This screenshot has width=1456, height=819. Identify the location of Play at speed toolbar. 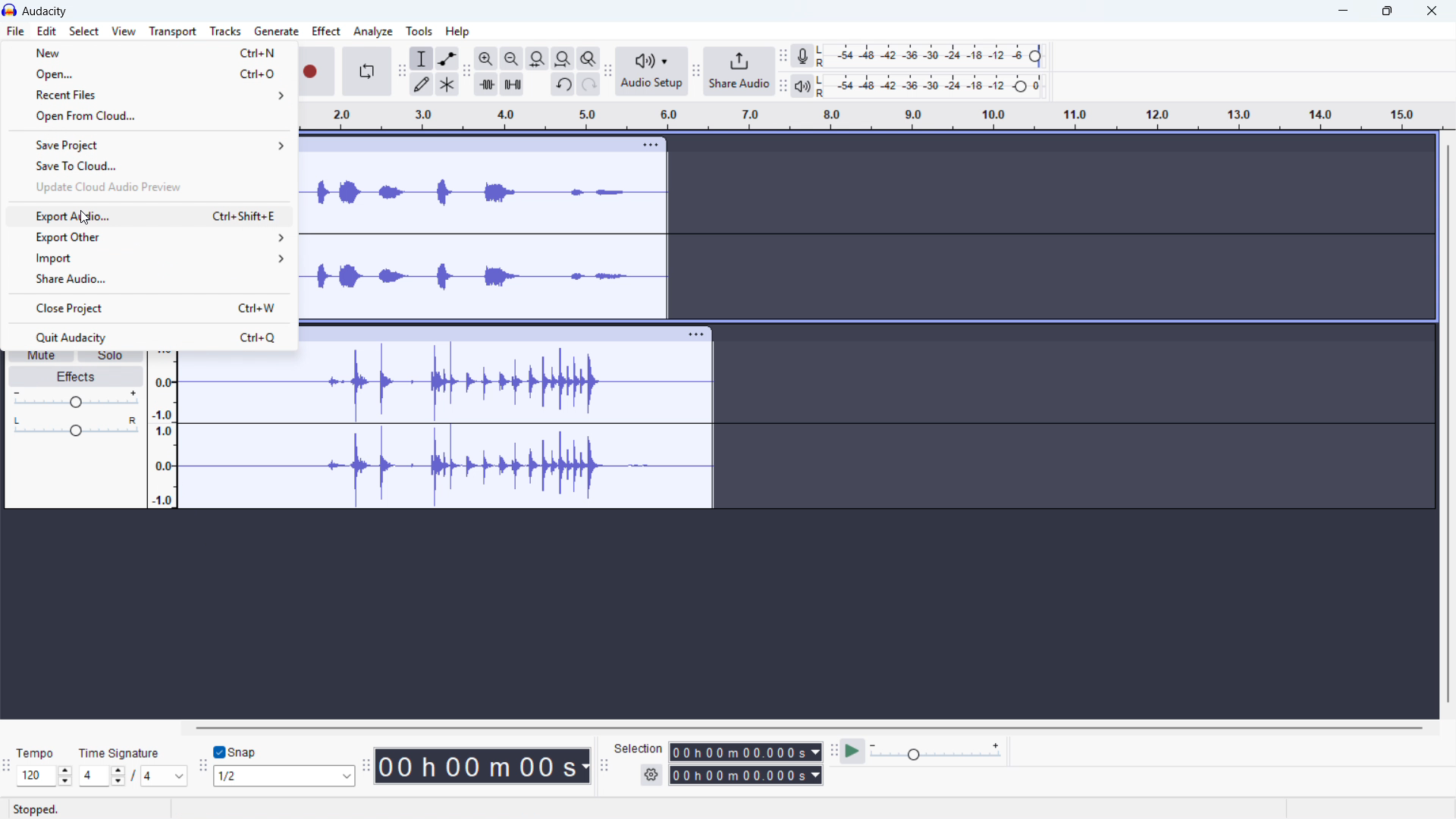
(832, 752).